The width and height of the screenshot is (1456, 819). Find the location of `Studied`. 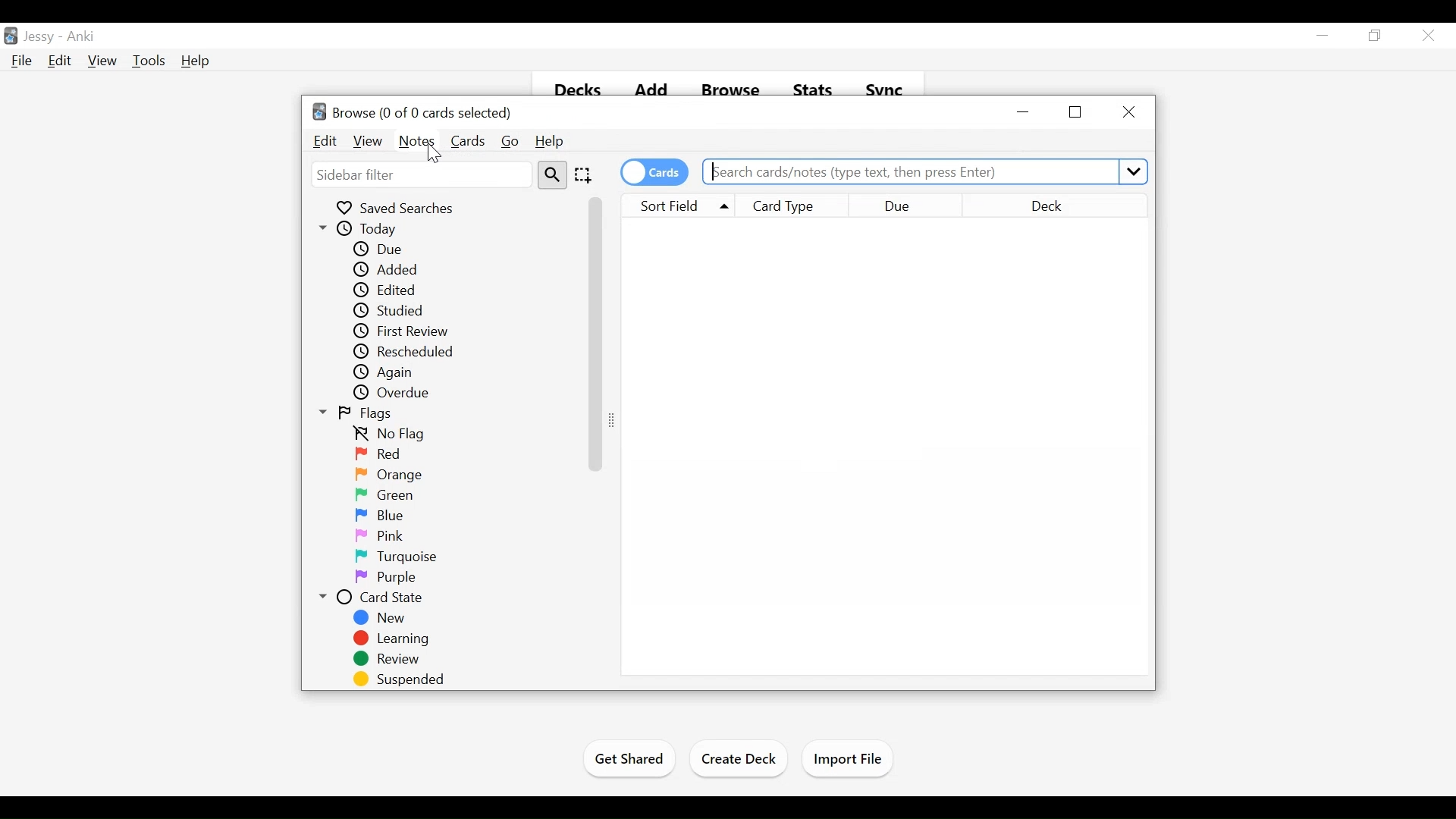

Studied is located at coordinates (388, 312).